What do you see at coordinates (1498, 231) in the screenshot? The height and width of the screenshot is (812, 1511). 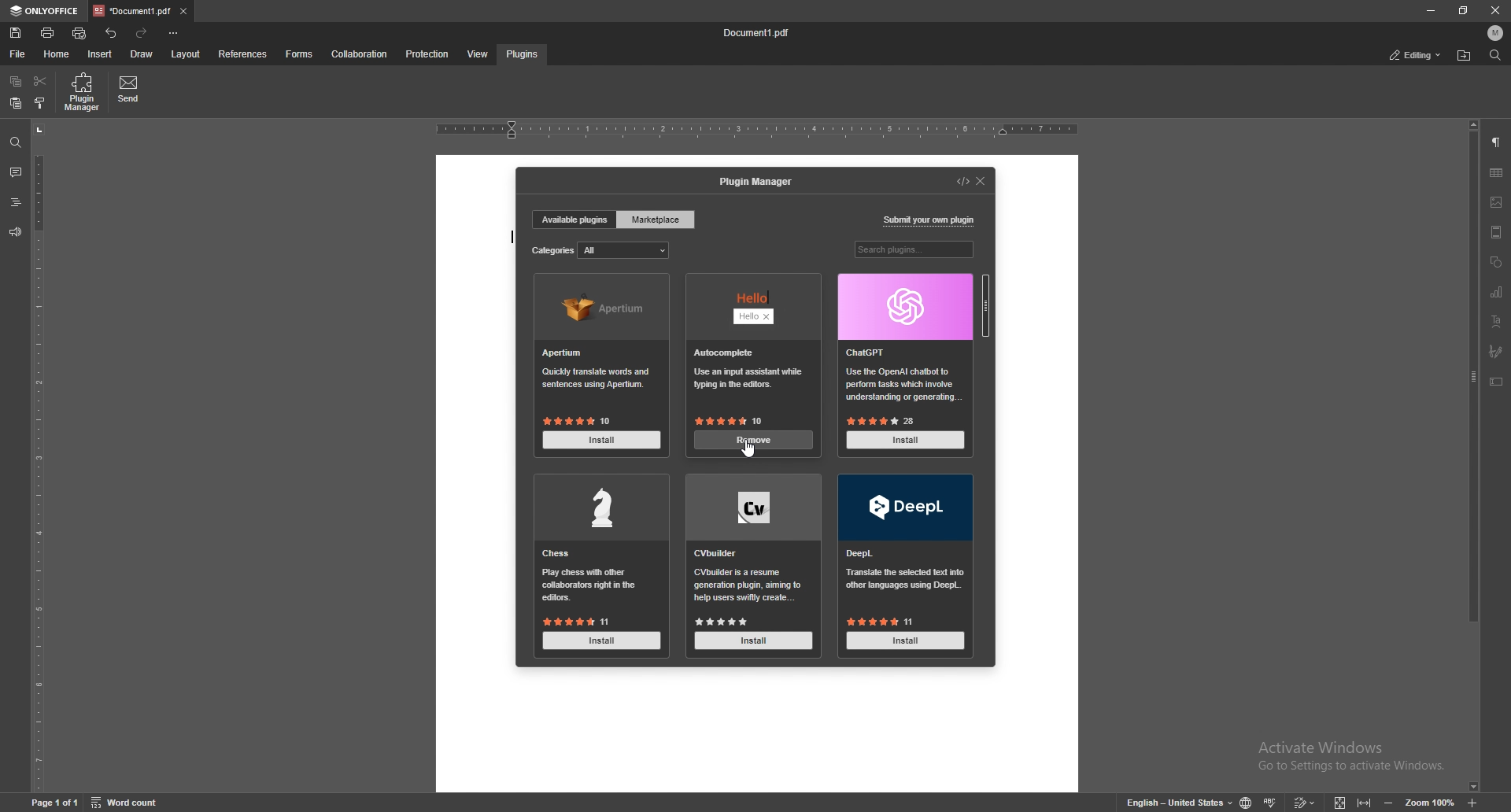 I see `header and footer` at bounding box center [1498, 231].